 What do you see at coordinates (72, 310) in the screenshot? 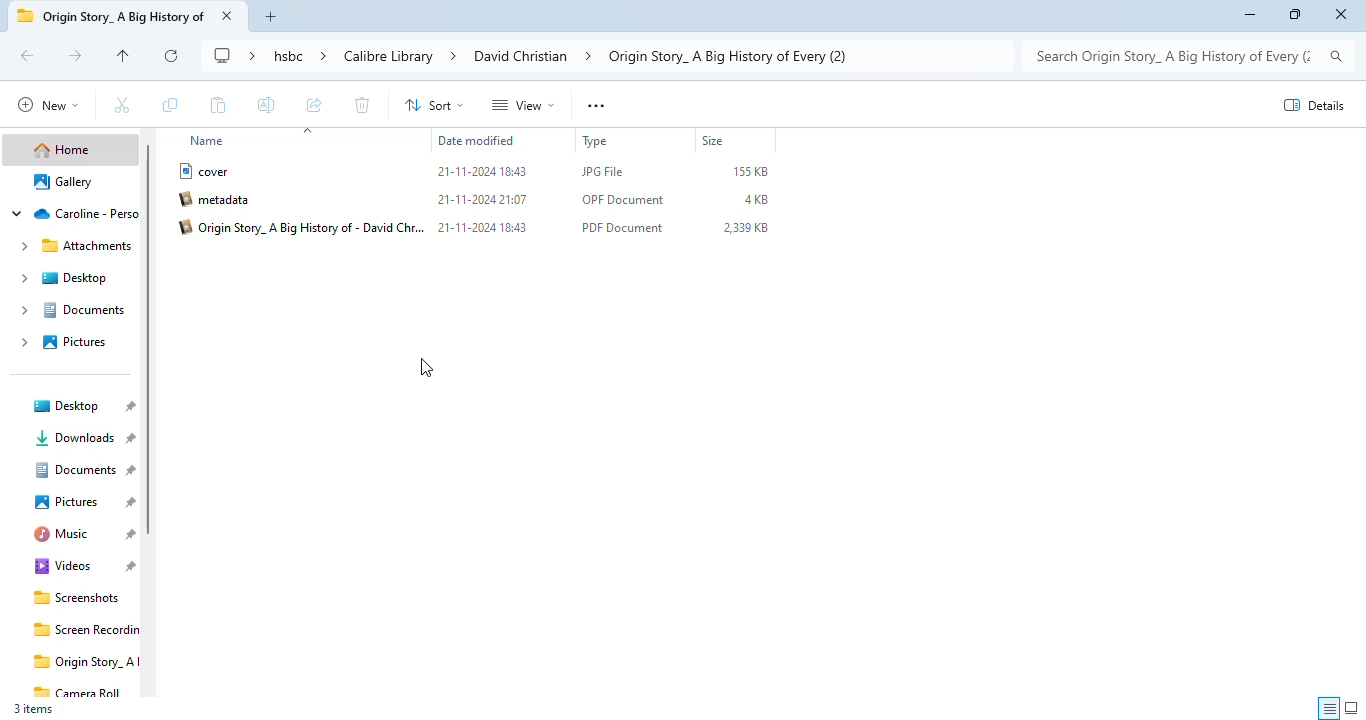
I see `documents` at bounding box center [72, 310].